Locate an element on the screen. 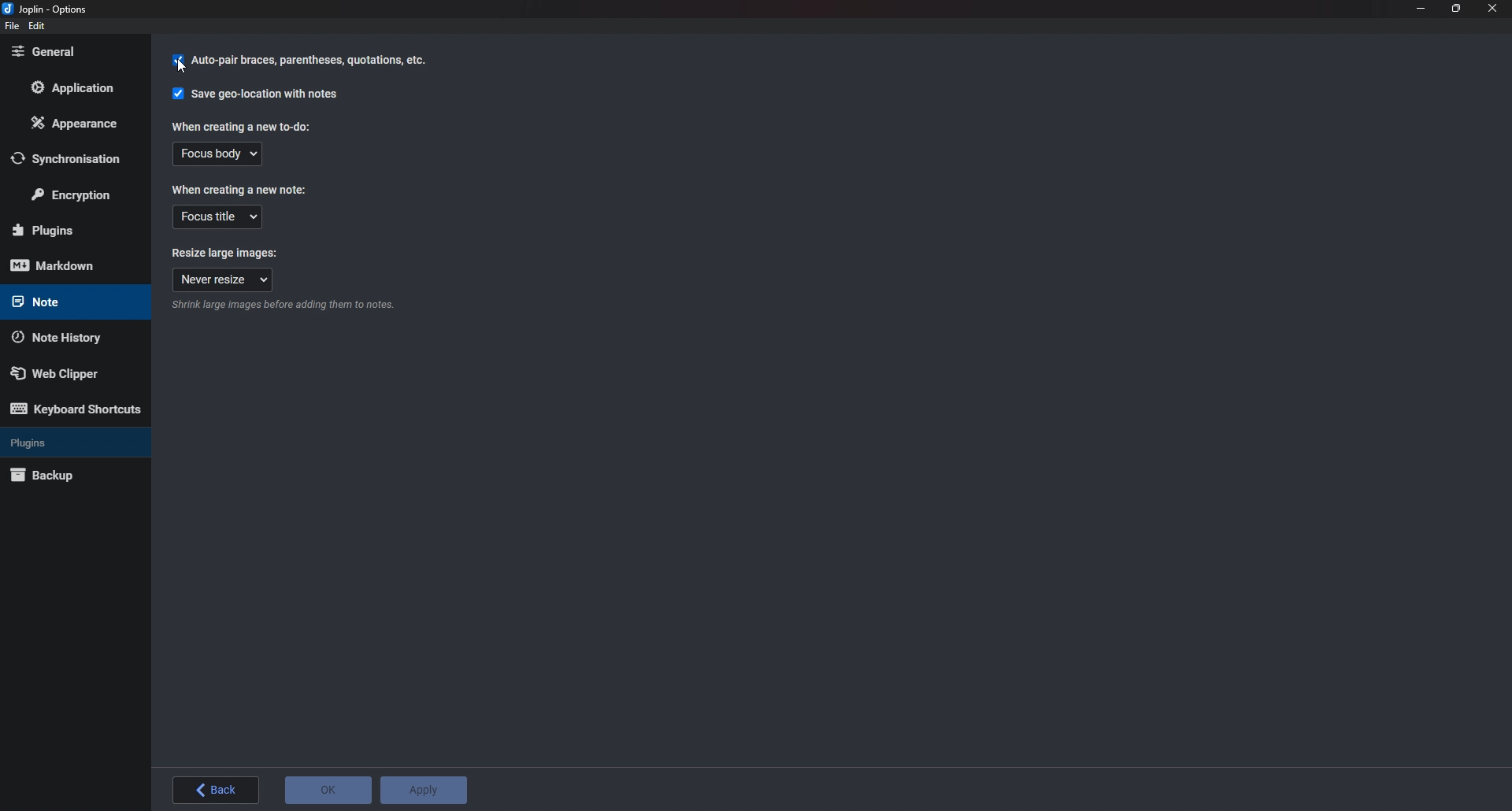 The height and width of the screenshot is (811, 1512). When creating a new to do is located at coordinates (237, 125).